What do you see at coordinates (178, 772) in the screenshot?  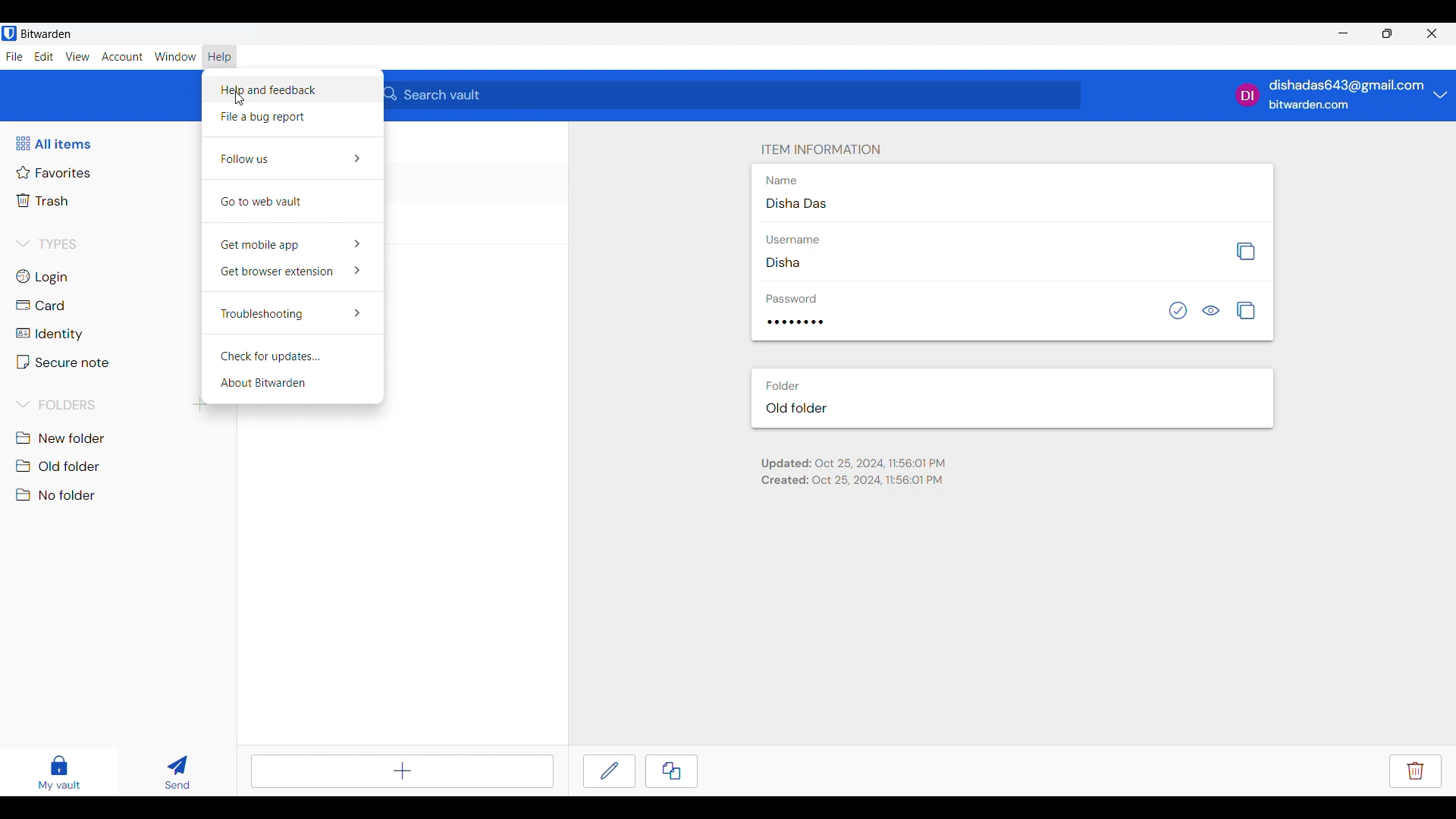 I see `Send` at bounding box center [178, 772].